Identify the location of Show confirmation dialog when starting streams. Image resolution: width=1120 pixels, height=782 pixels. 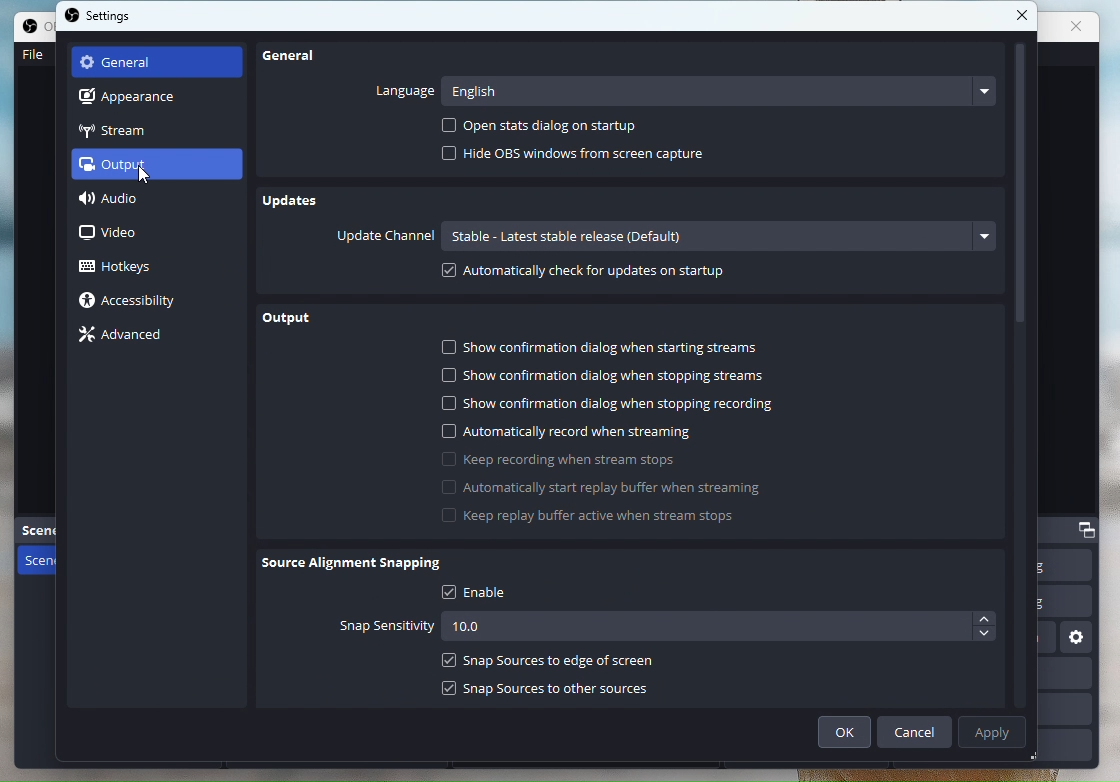
(606, 345).